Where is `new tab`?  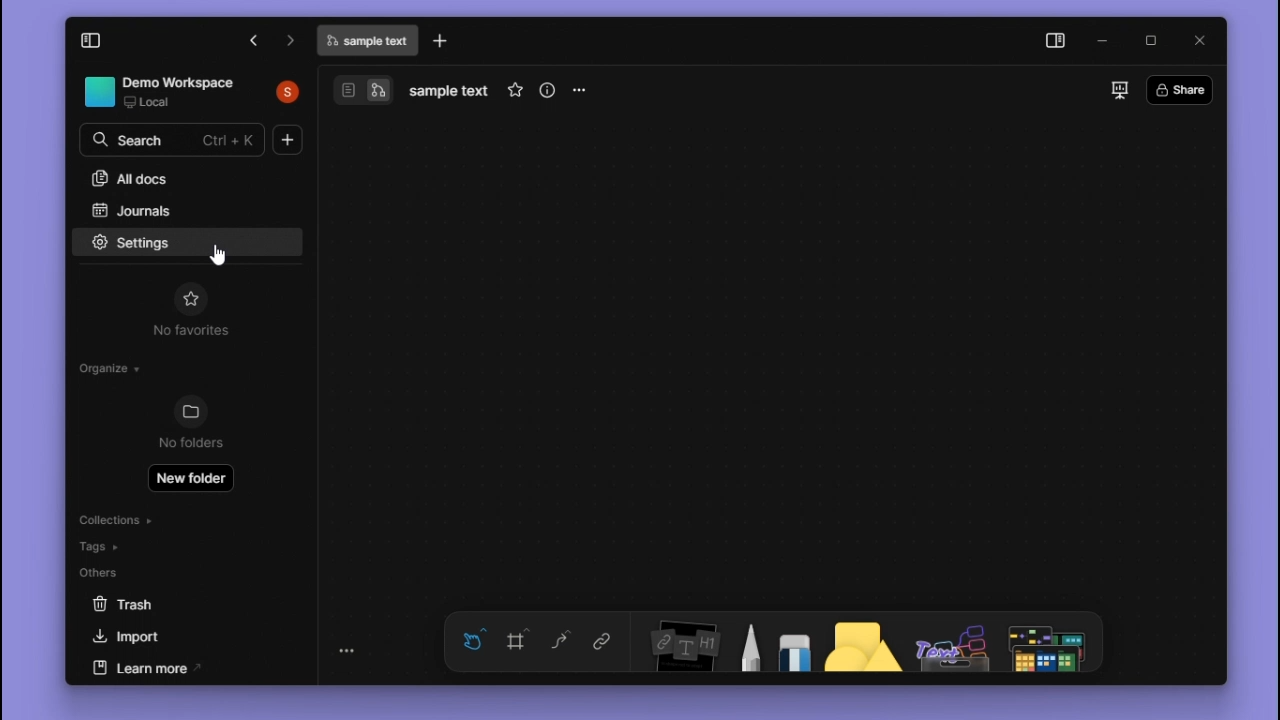 new tab is located at coordinates (443, 41).